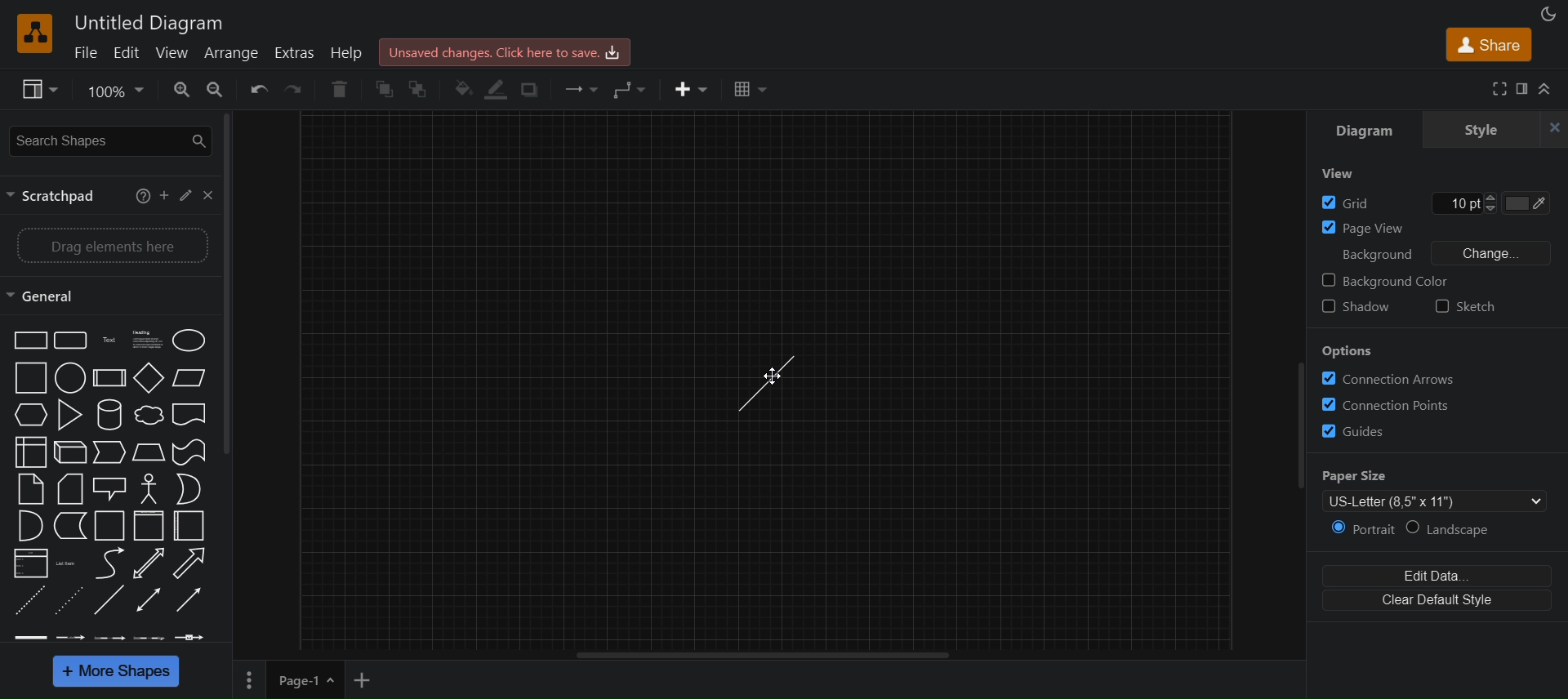 This screenshot has width=1568, height=699. What do you see at coordinates (1399, 281) in the screenshot?
I see `background color` at bounding box center [1399, 281].